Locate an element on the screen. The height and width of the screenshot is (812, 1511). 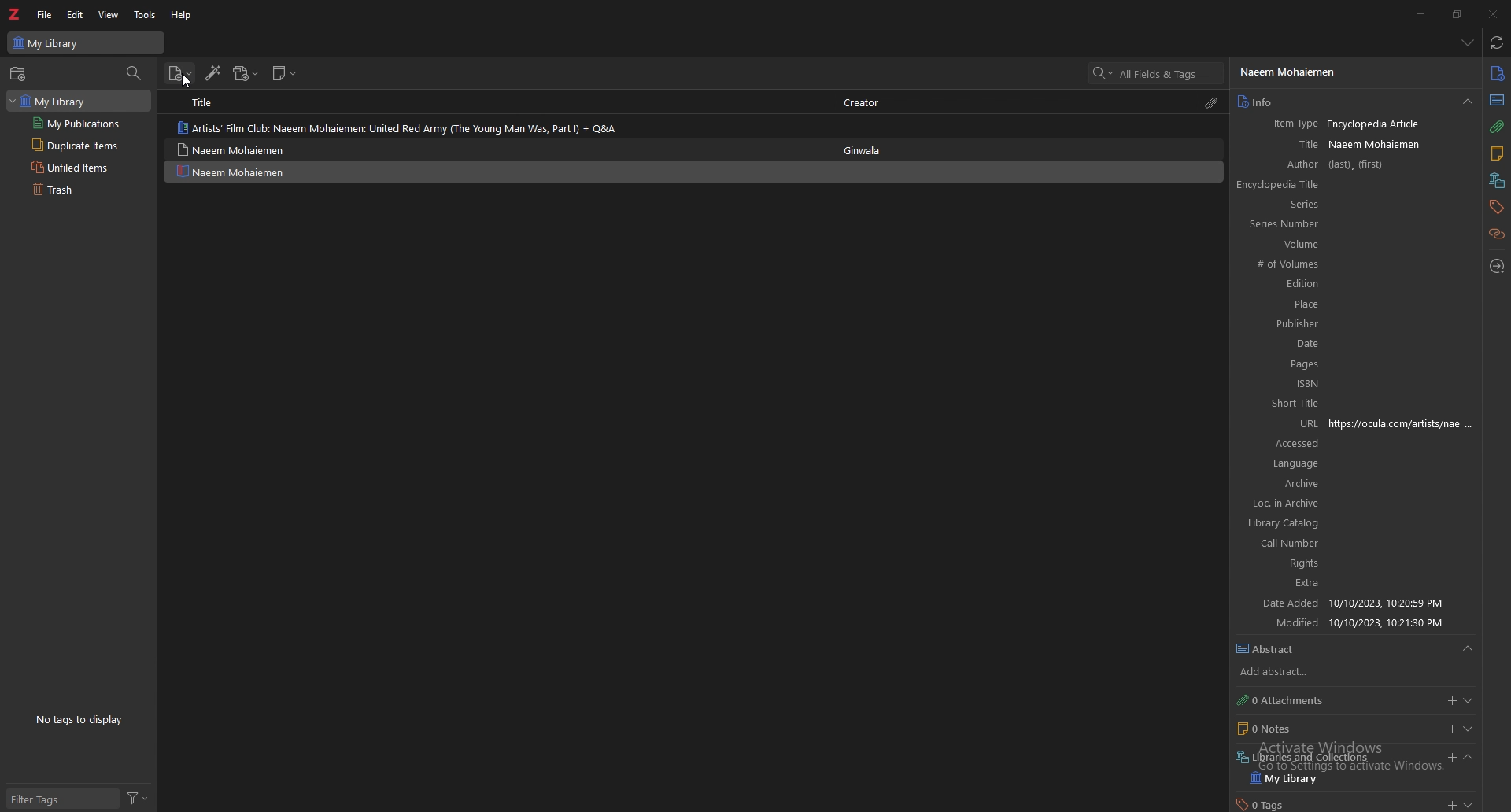
help is located at coordinates (183, 15).